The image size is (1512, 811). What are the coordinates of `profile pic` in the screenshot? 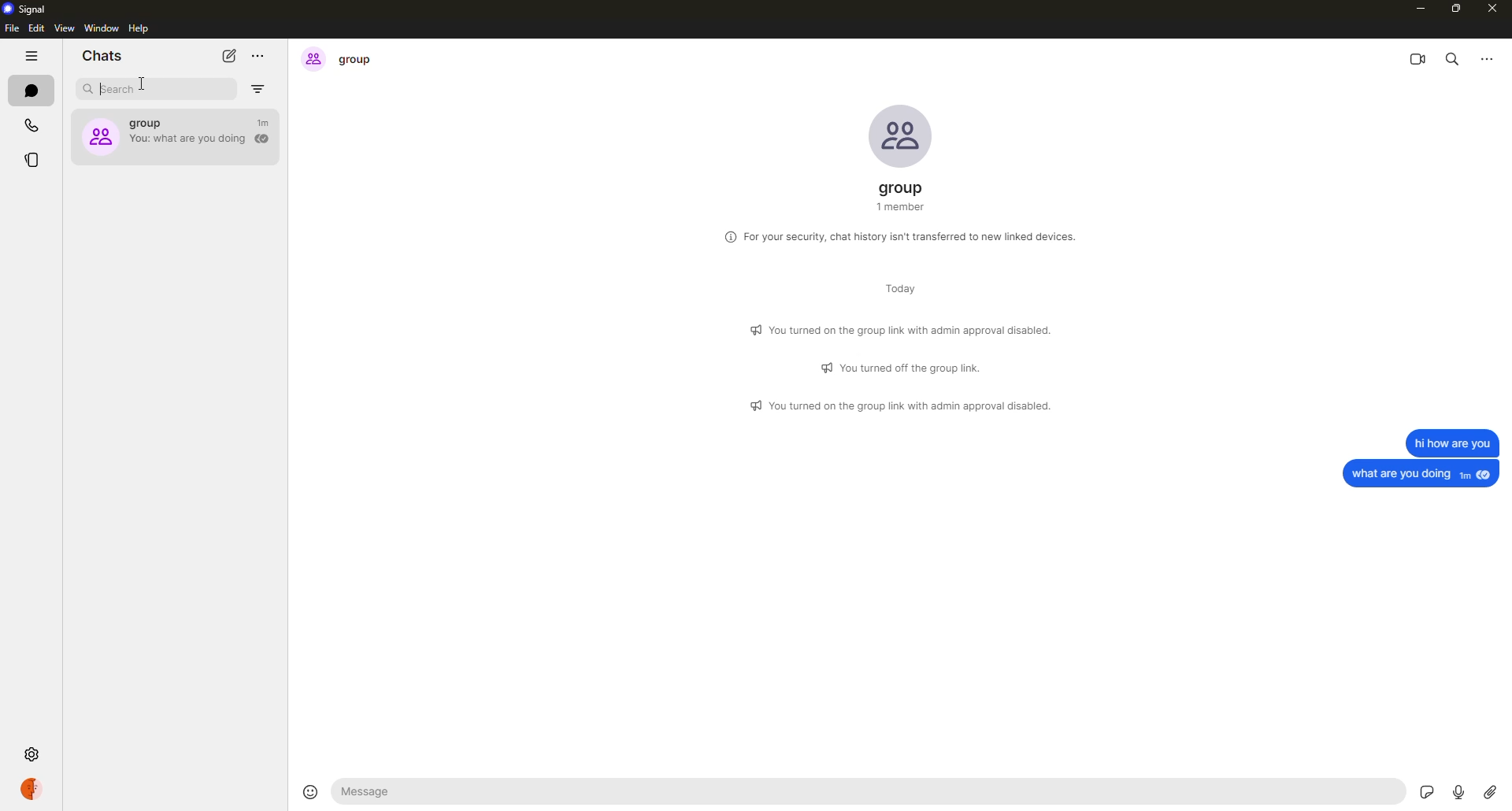 It's located at (899, 135).